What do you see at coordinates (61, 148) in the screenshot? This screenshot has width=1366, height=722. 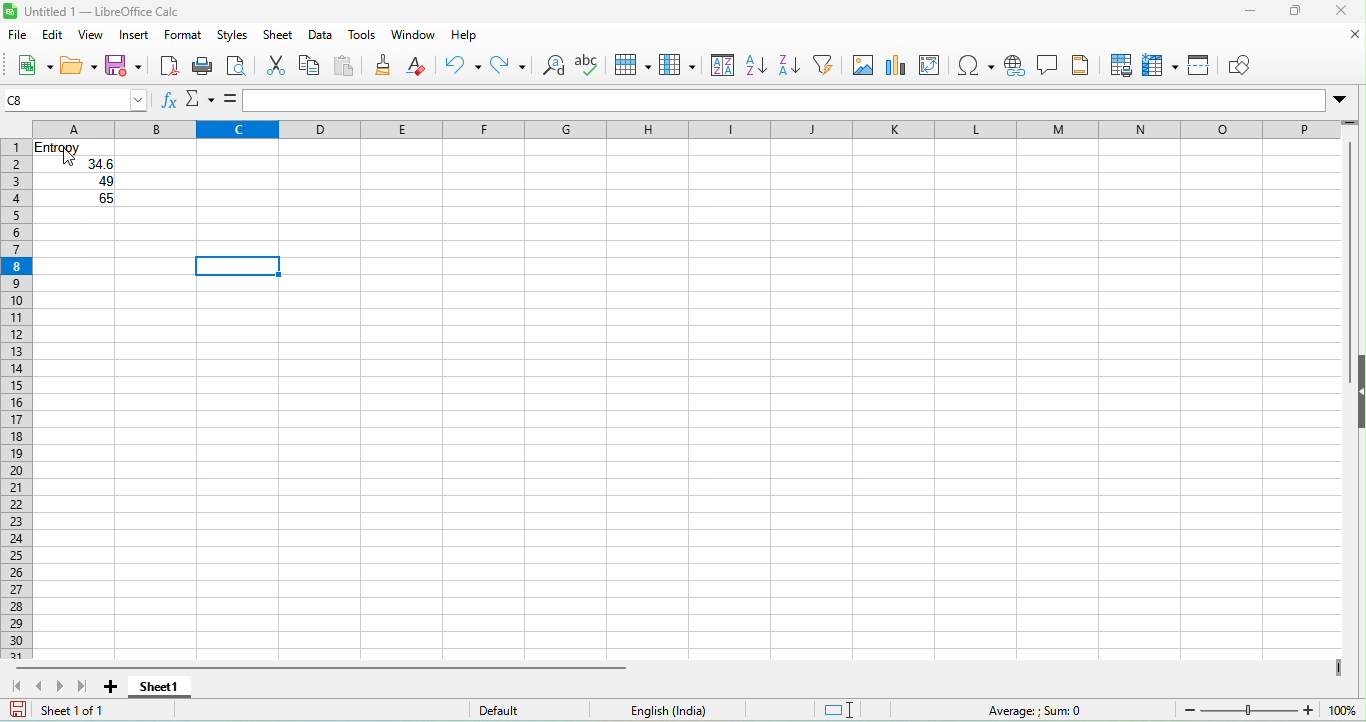 I see `entropy` at bounding box center [61, 148].